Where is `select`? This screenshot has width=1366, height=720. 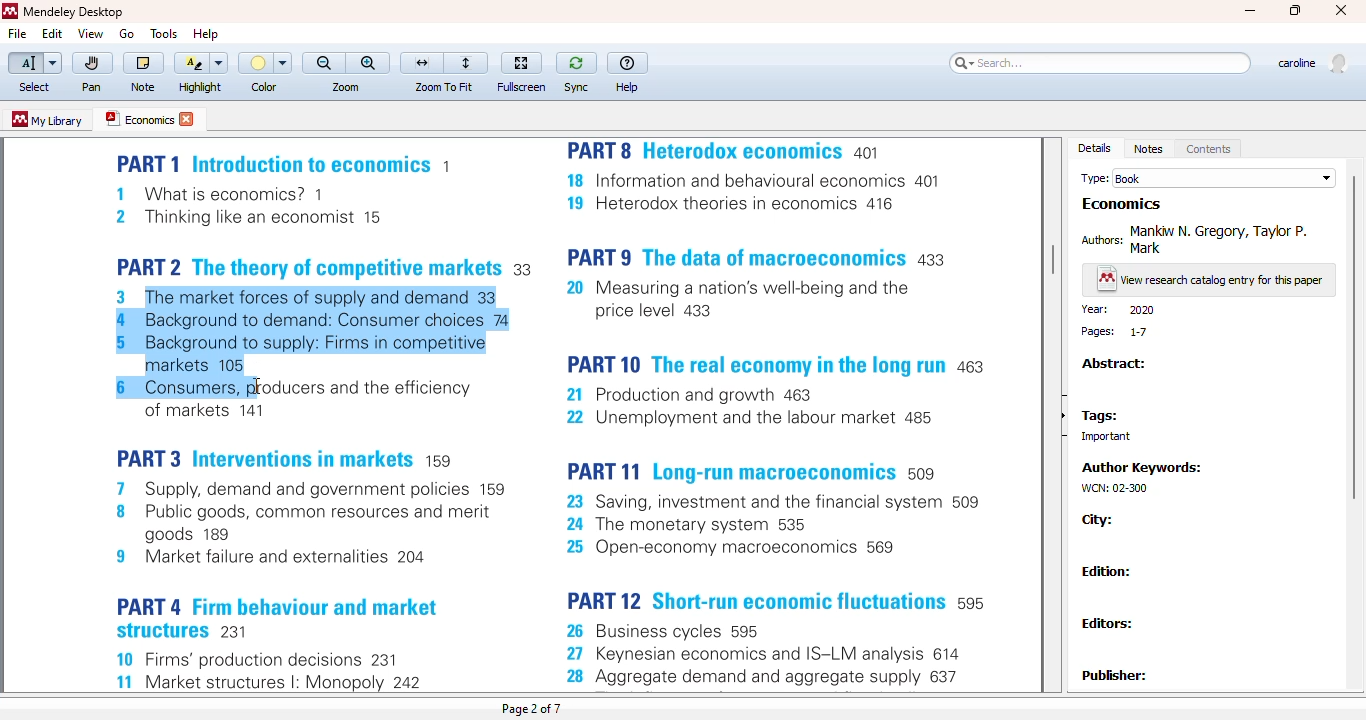 select is located at coordinates (34, 64).